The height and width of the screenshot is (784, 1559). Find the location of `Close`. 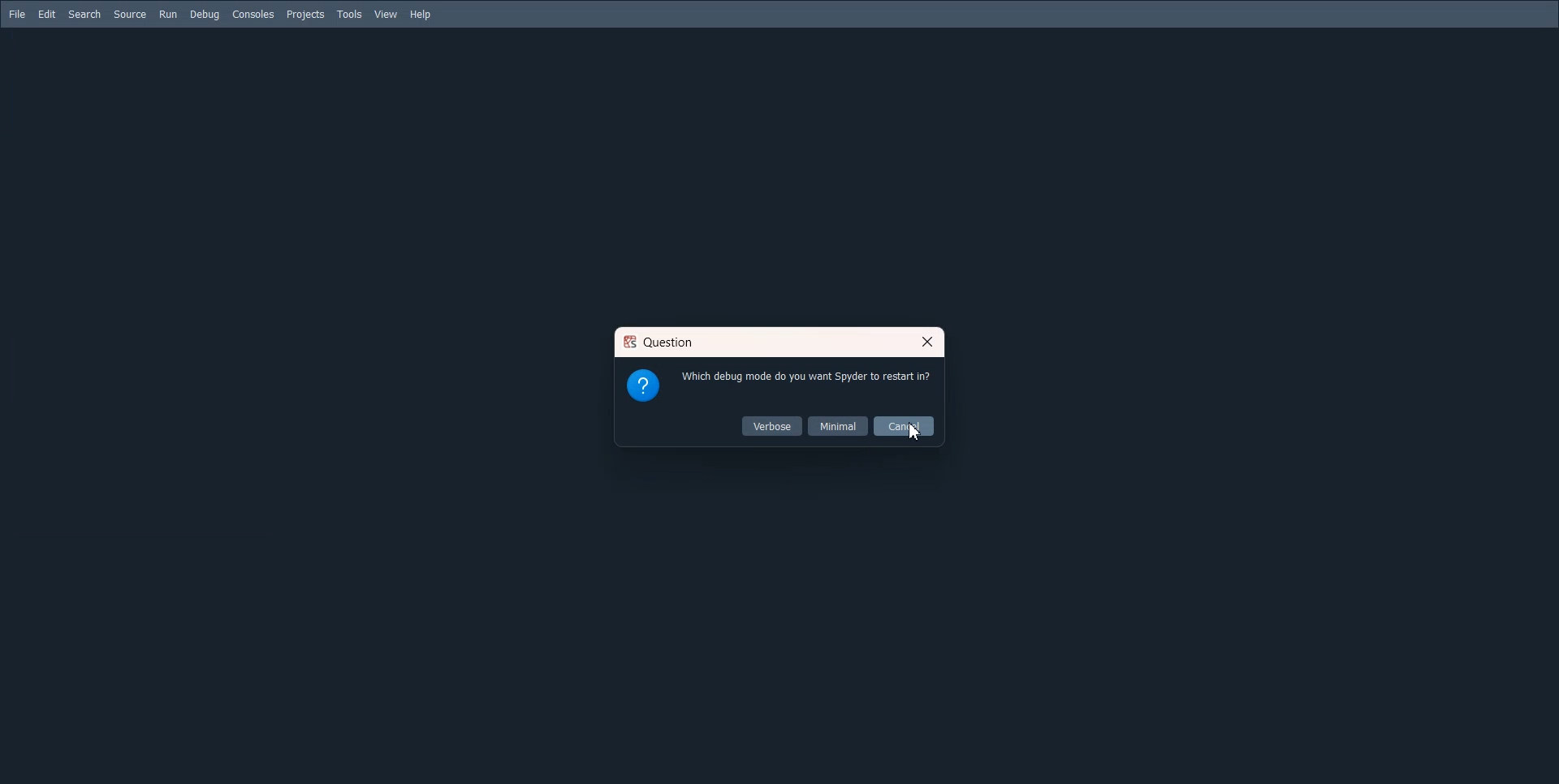

Close is located at coordinates (926, 342).